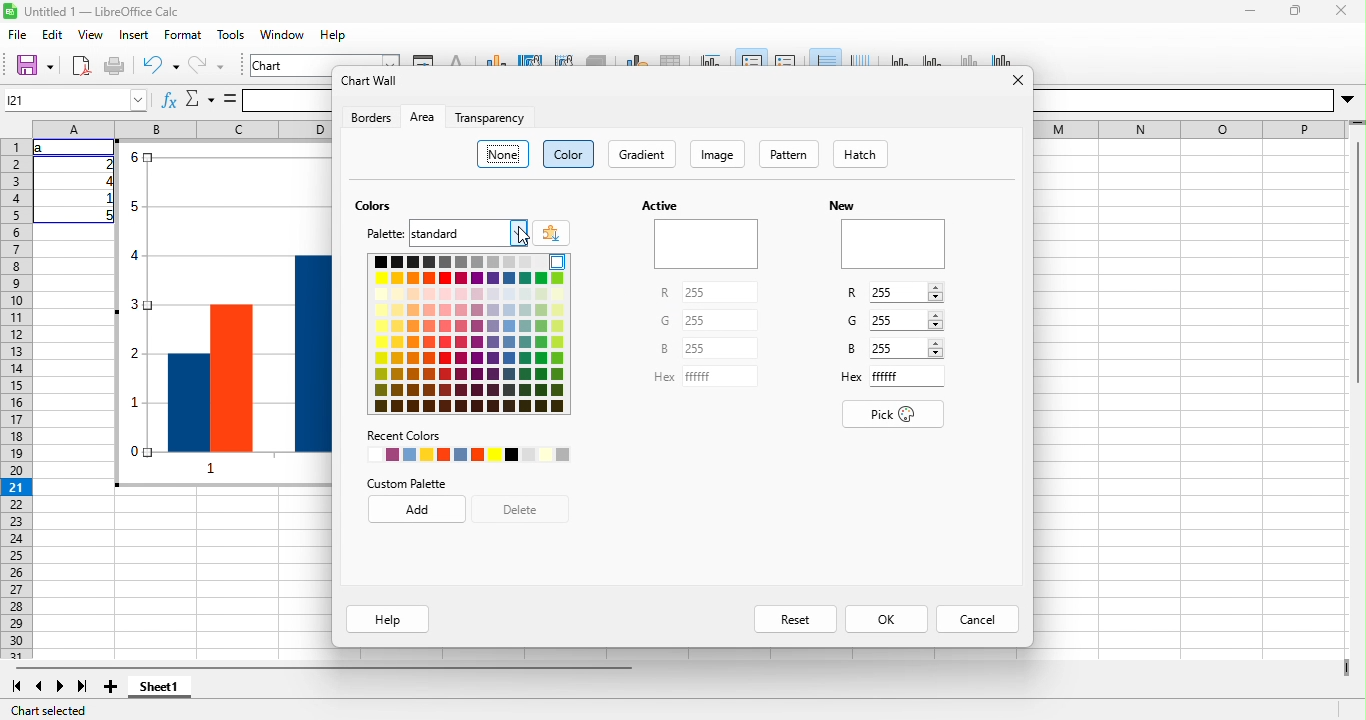 The image size is (1366, 720). I want to click on Hex, so click(852, 377).